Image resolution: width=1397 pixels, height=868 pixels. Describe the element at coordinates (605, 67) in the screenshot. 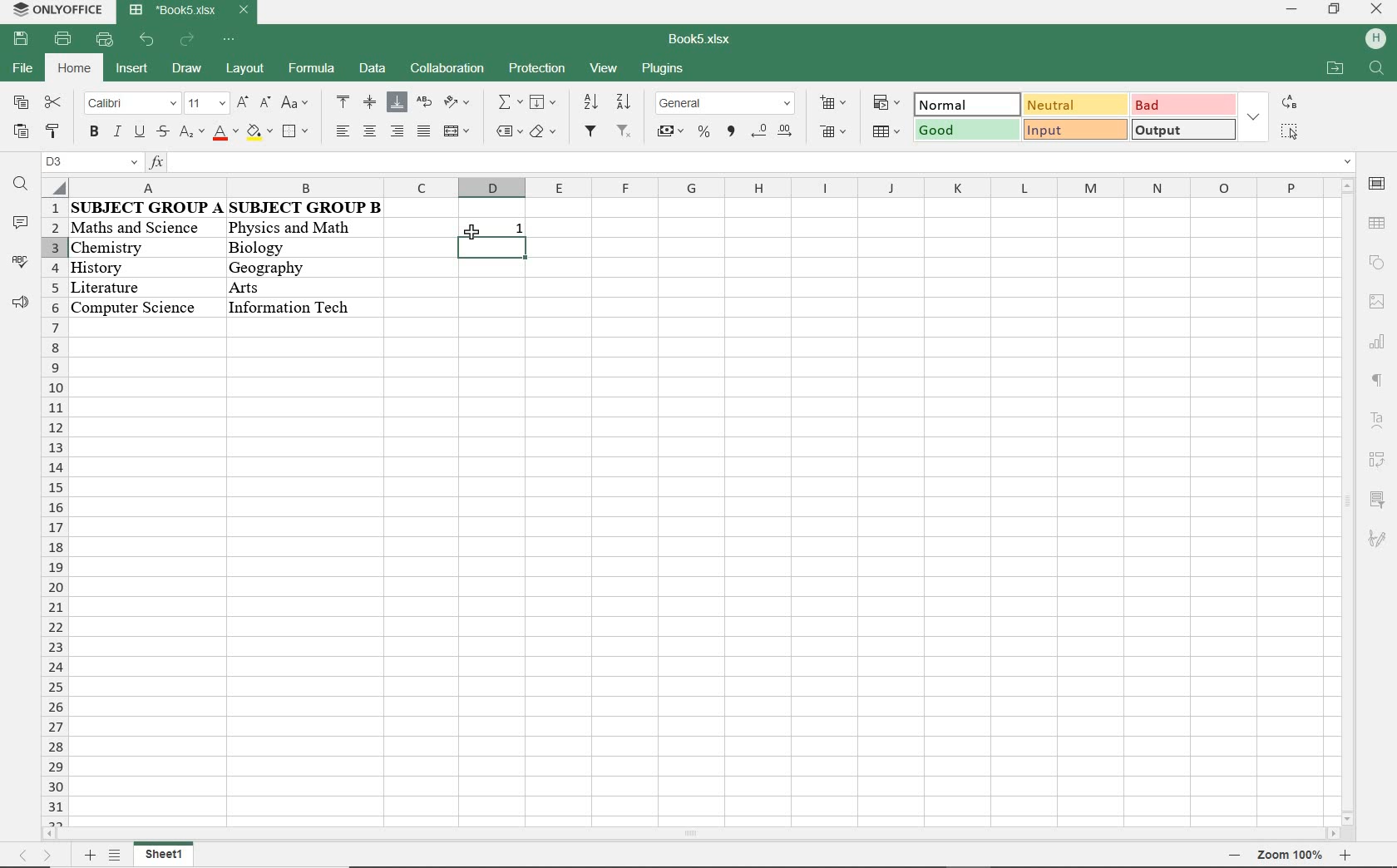

I see `view` at that location.